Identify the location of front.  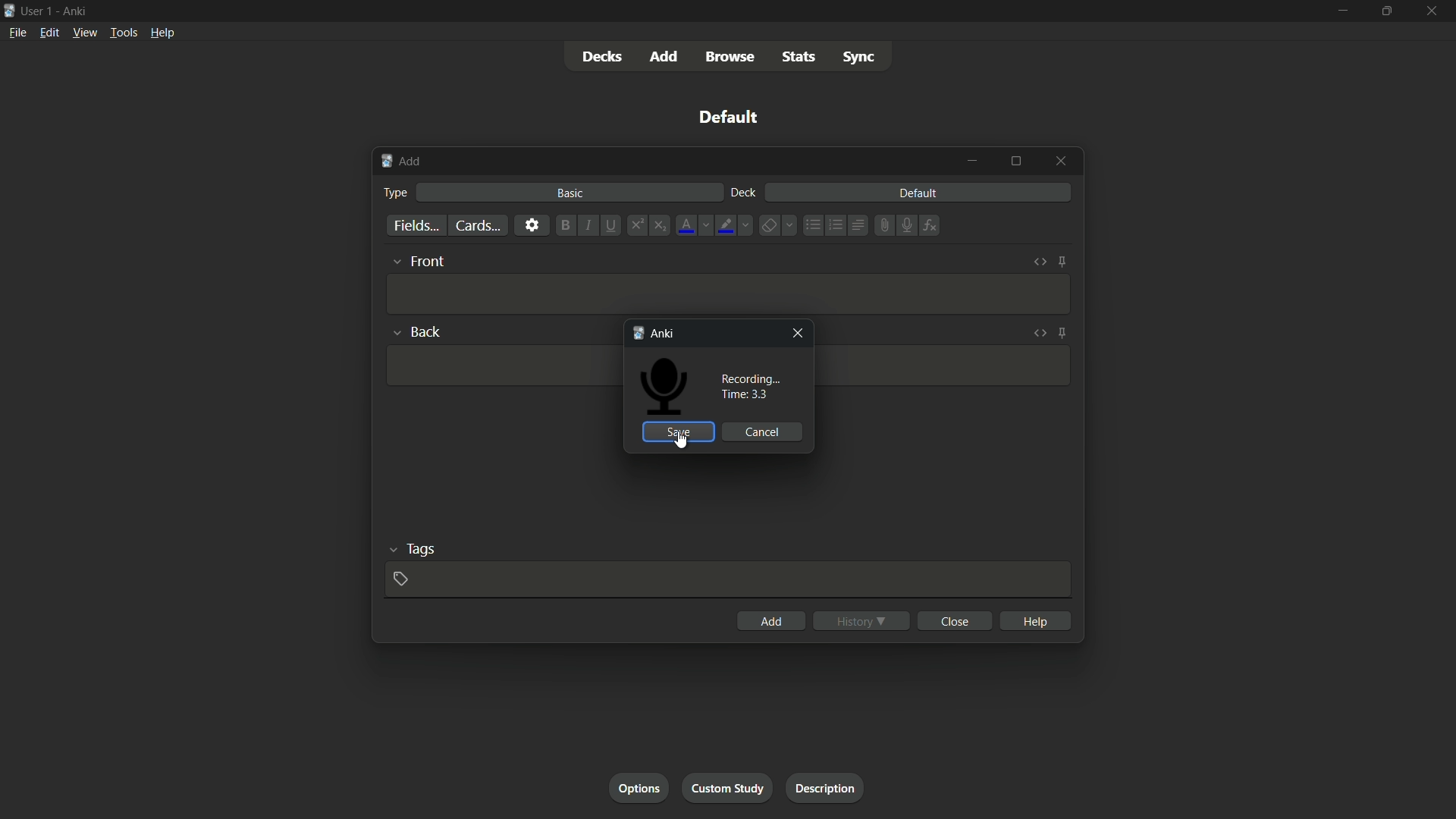
(429, 262).